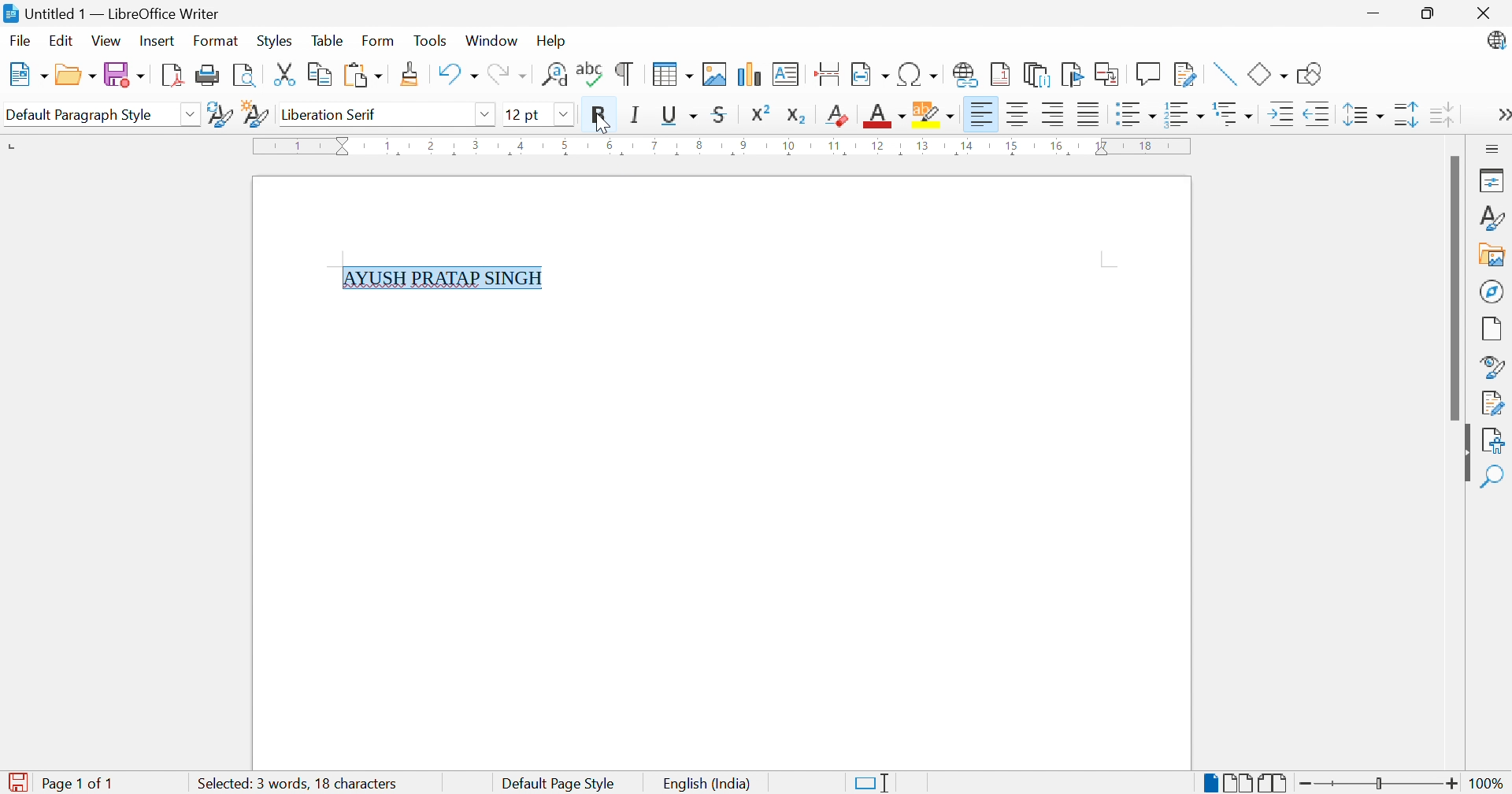 The image size is (1512, 794). What do you see at coordinates (1491, 291) in the screenshot?
I see `Navigator` at bounding box center [1491, 291].